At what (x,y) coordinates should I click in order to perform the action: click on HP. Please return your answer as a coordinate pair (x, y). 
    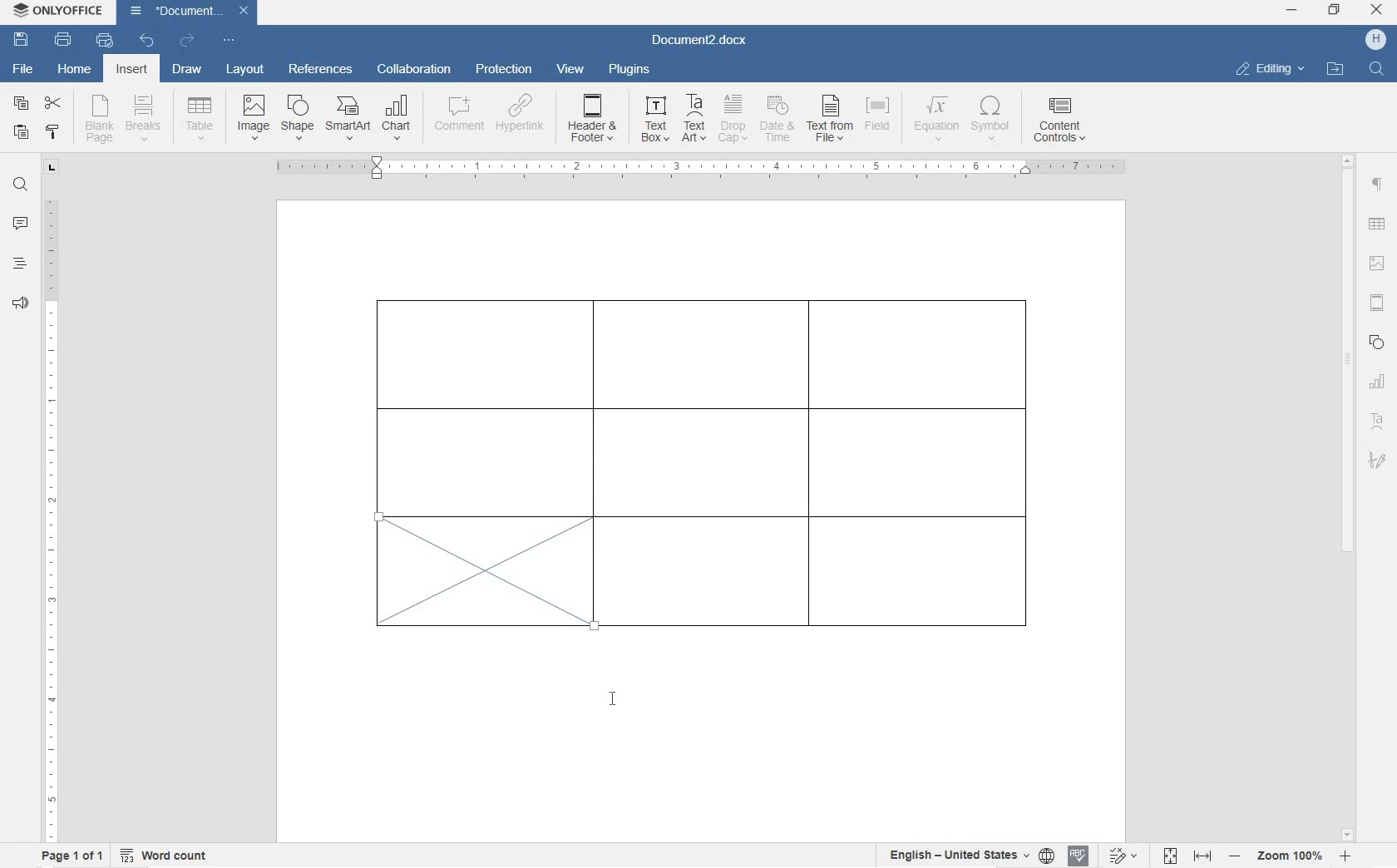
    Looking at the image, I should click on (1375, 40).